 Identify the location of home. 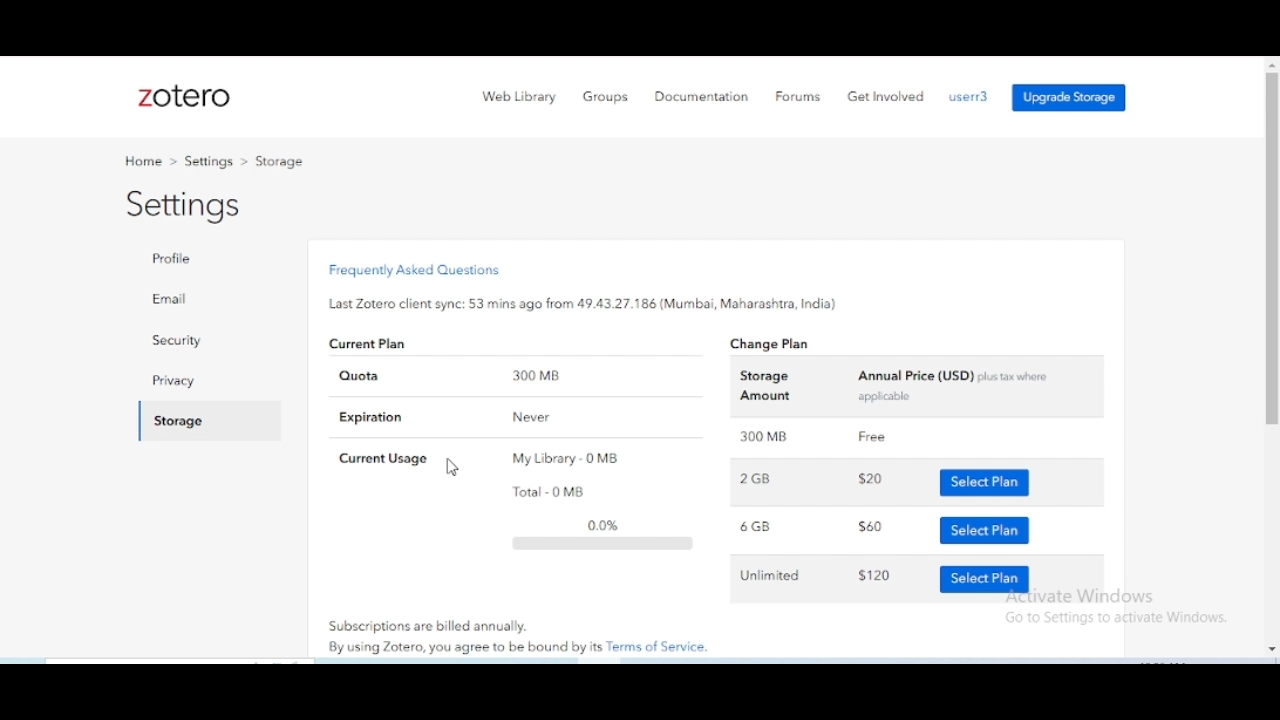
(143, 161).